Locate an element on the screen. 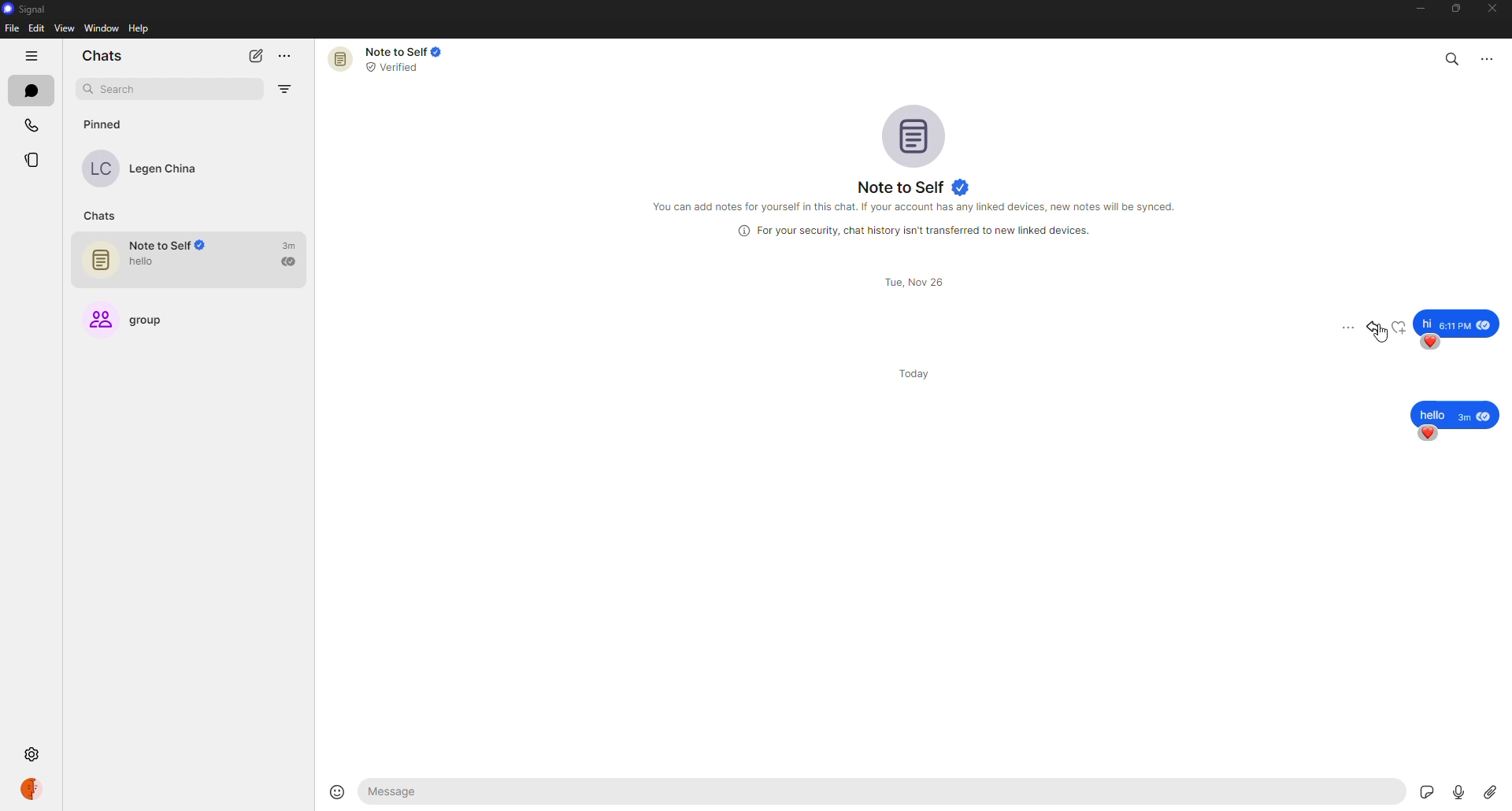  message is located at coordinates (3170, 687).